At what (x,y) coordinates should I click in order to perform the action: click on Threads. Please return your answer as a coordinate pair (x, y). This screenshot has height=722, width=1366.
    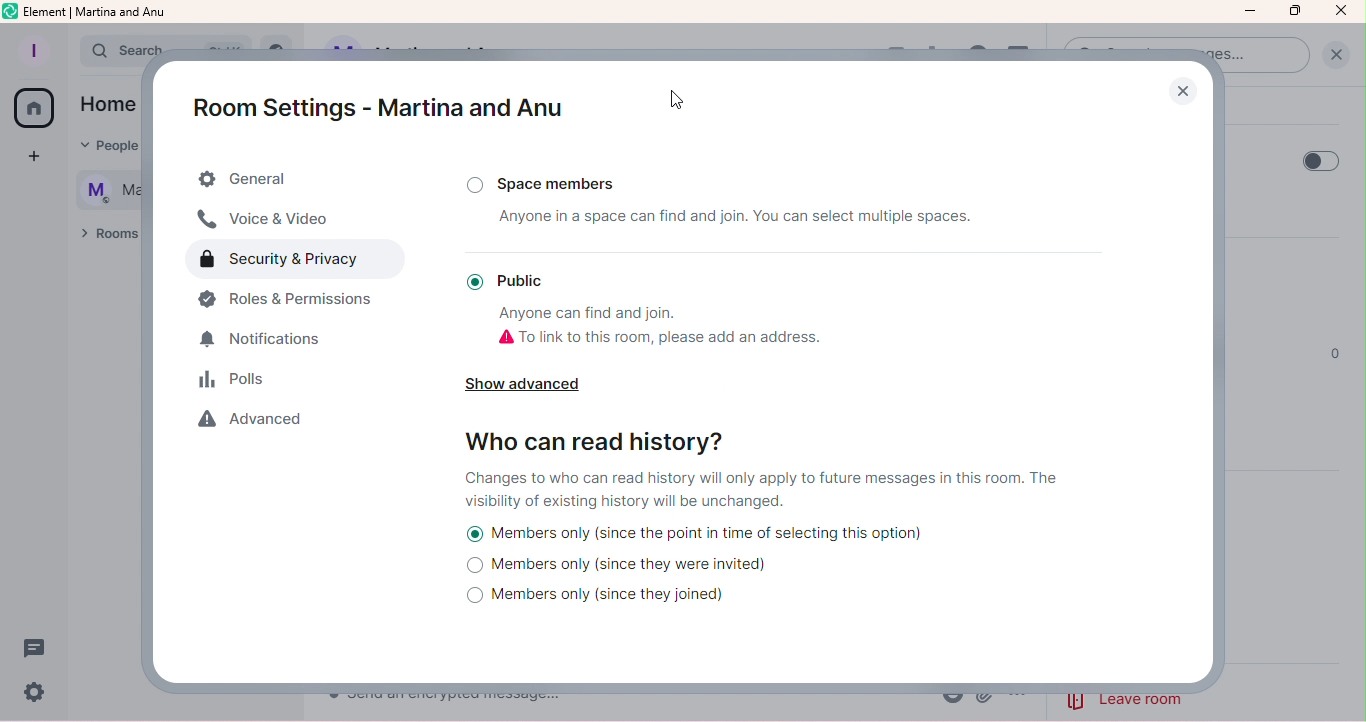
    Looking at the image, I should click on (37, 644).